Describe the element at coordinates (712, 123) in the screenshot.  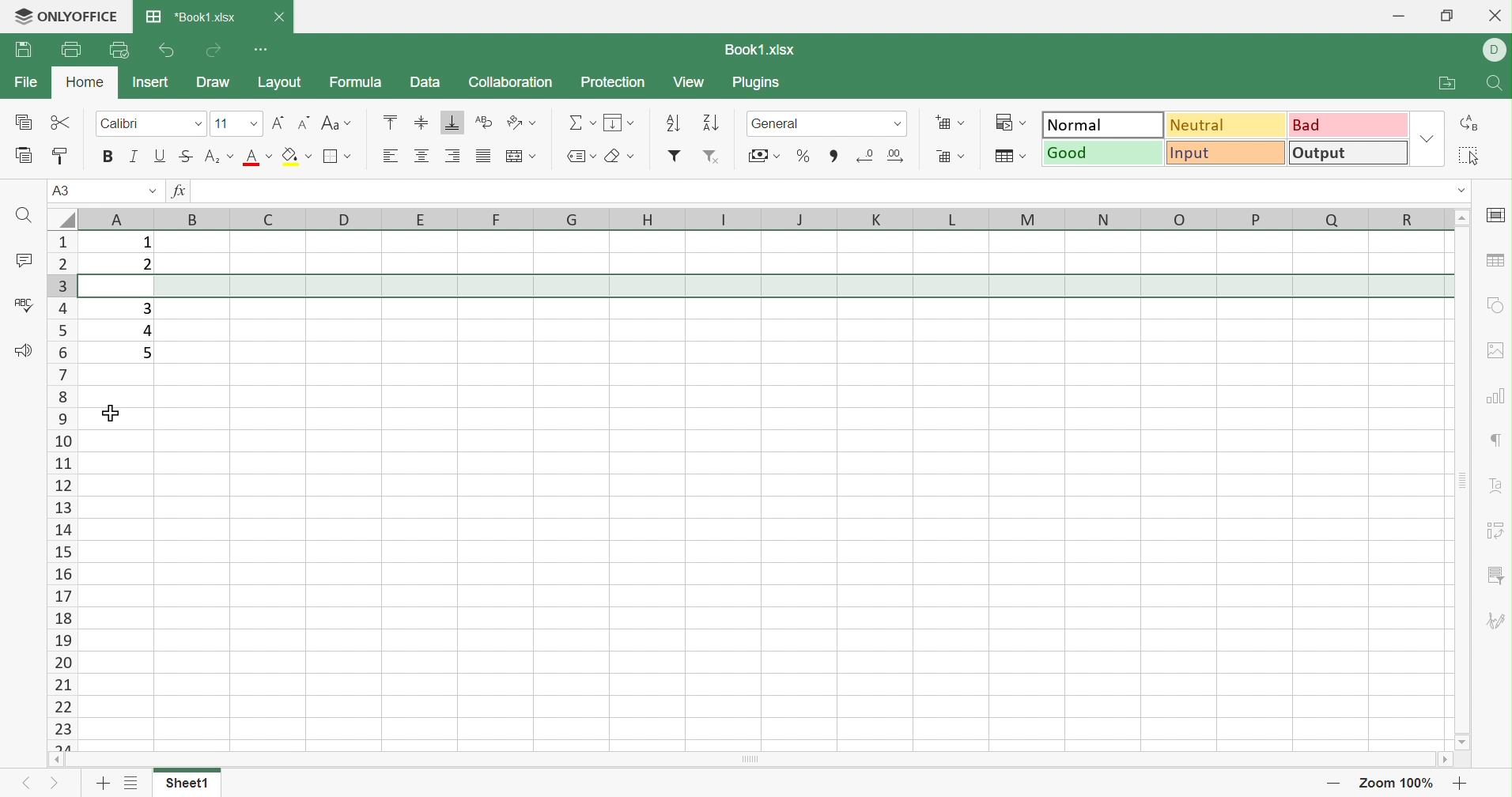
I see `Descending order` at that location.